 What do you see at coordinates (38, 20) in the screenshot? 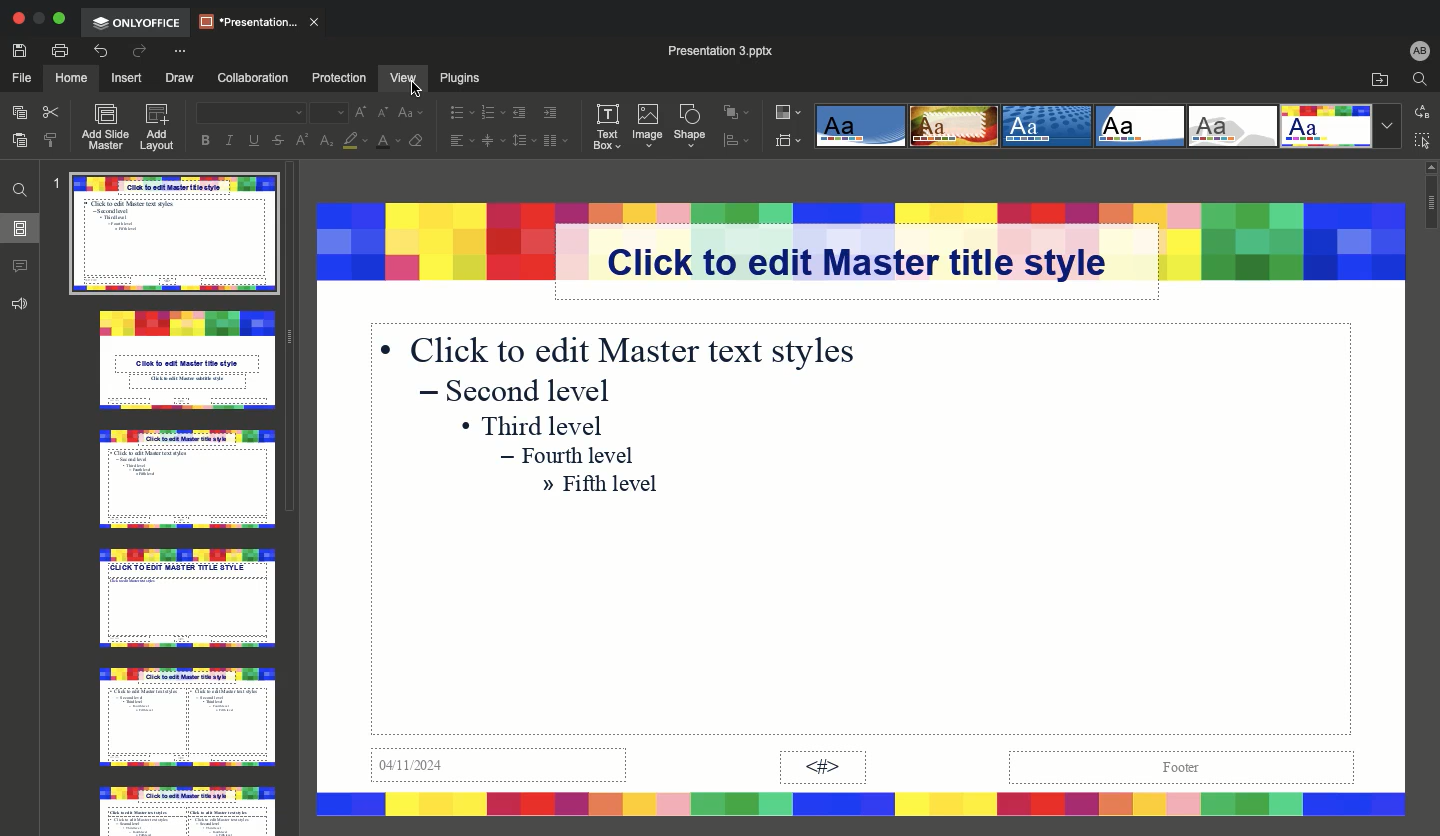
I see `Restore` at bounding box center [38, 20].